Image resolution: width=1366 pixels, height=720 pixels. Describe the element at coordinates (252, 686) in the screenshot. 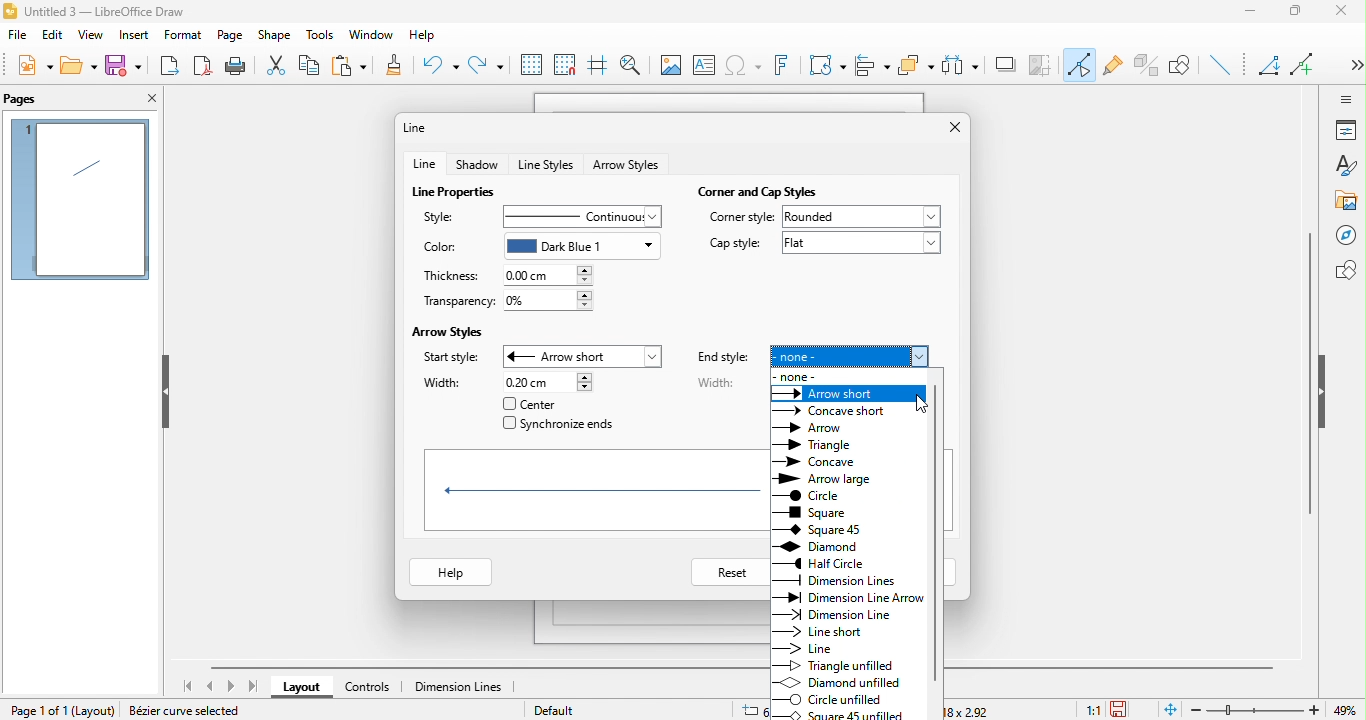

I see `last page` at that location.